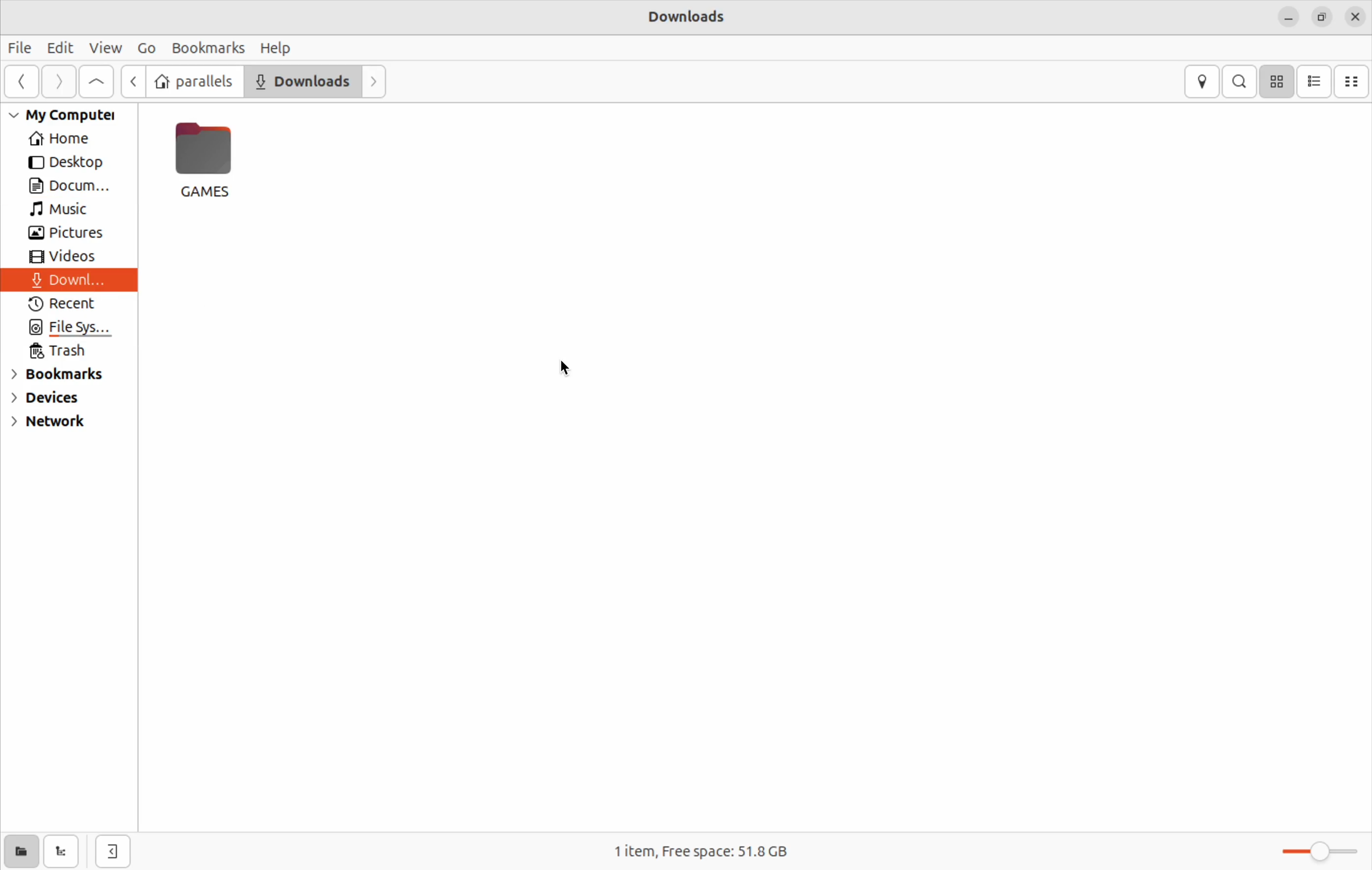 The height and width of the screenshot is (870, 1372). What do you see at coordinates (19, 82) in the screenshot?
I see `Go back ward` at bounding box center [19, 82].